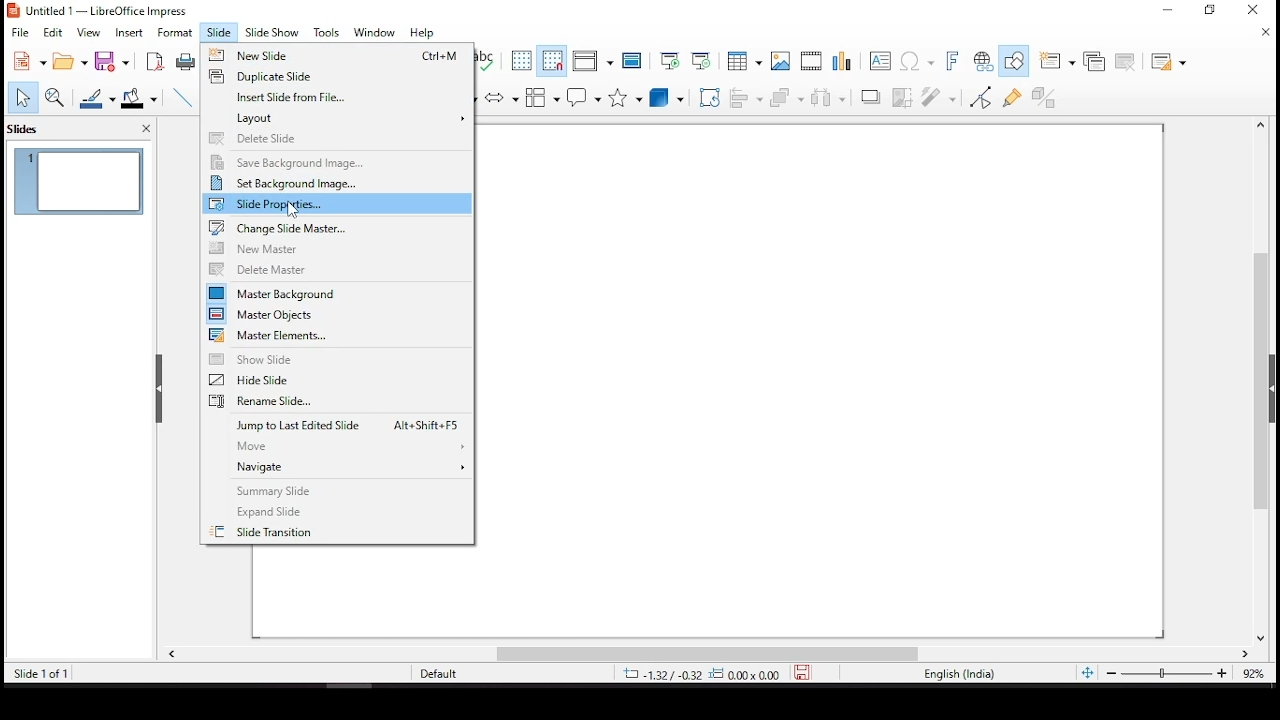 The image size is (1280, 720). What do you see at coordinates (671, 59) in the screenshot?
I see `start from first slide` at bounding box center [671, 59].